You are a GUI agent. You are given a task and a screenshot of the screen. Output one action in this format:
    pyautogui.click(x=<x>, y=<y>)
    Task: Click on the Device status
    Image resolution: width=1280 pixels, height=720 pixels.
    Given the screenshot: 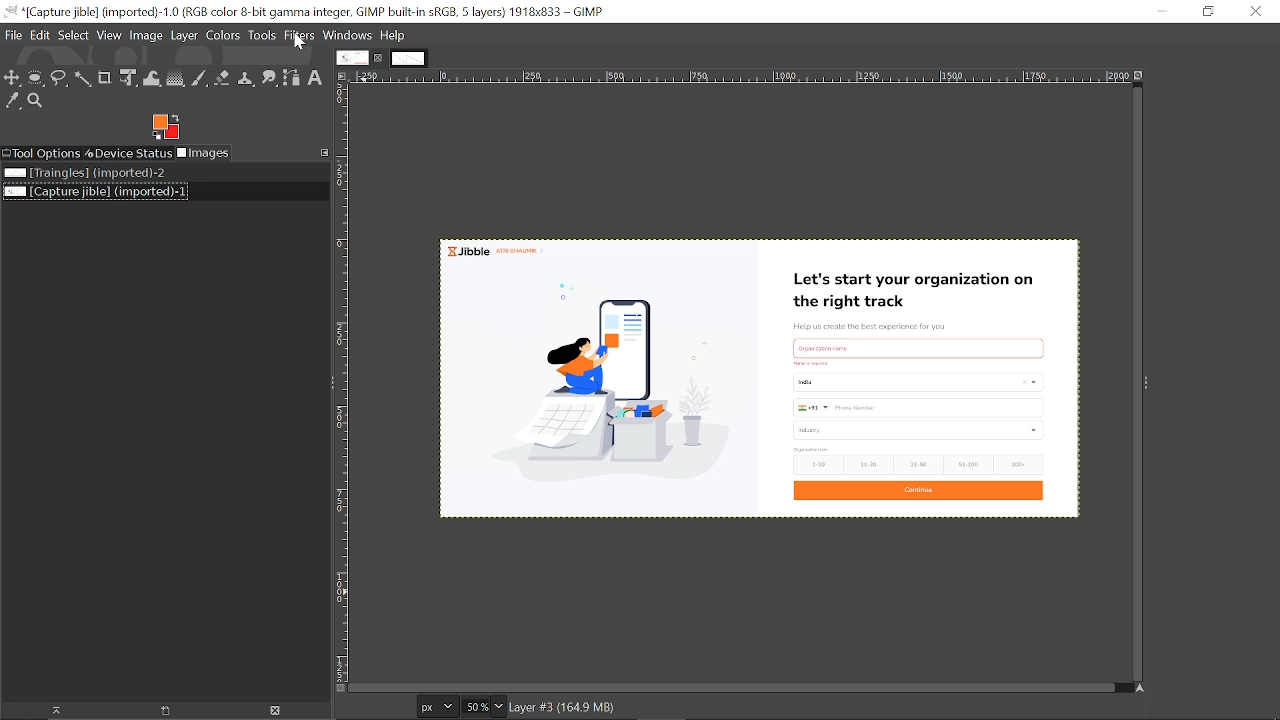 What is the action you would take?
    pyautogui.click(x=130, y=152)
    